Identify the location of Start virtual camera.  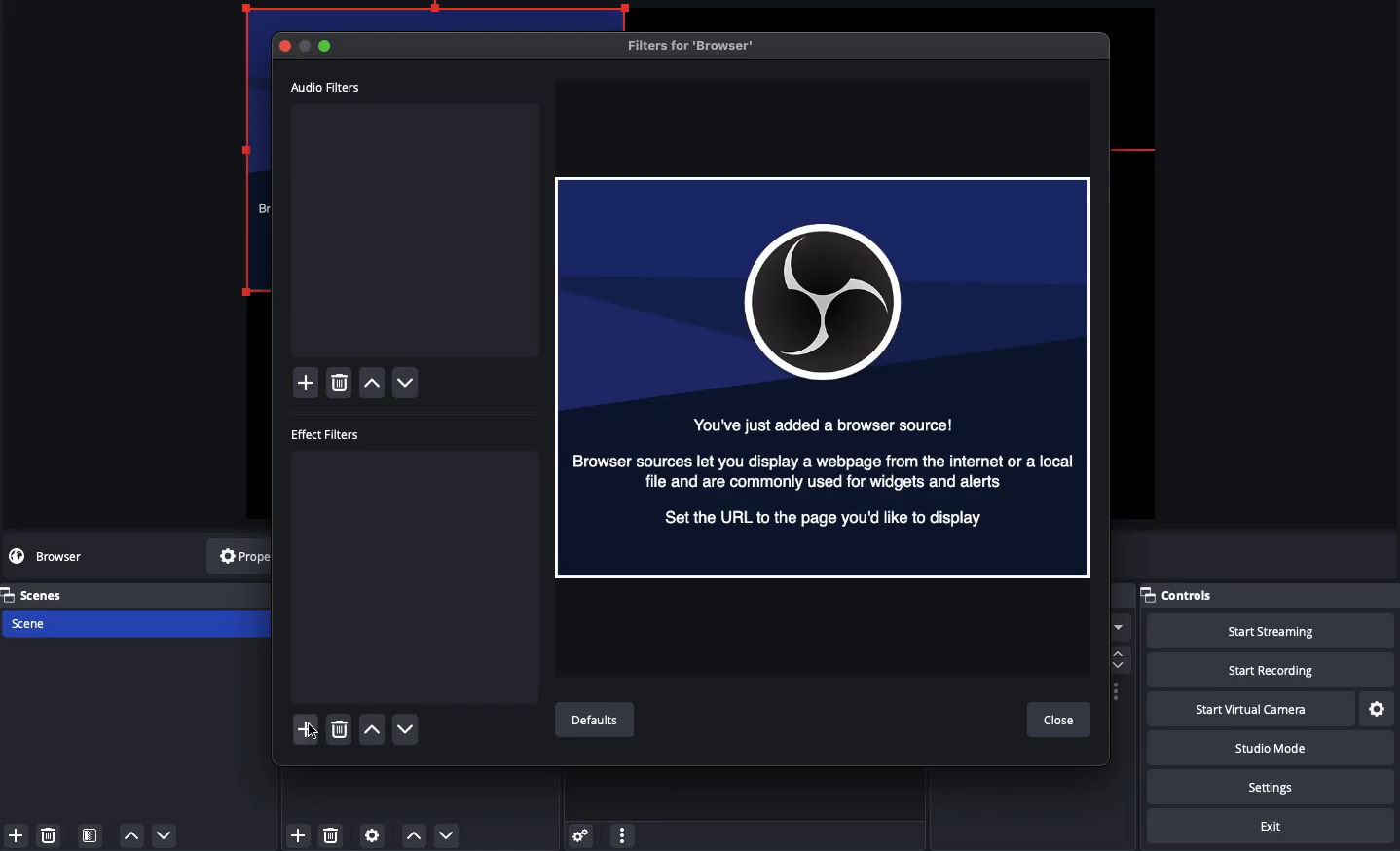
(1248, 710).